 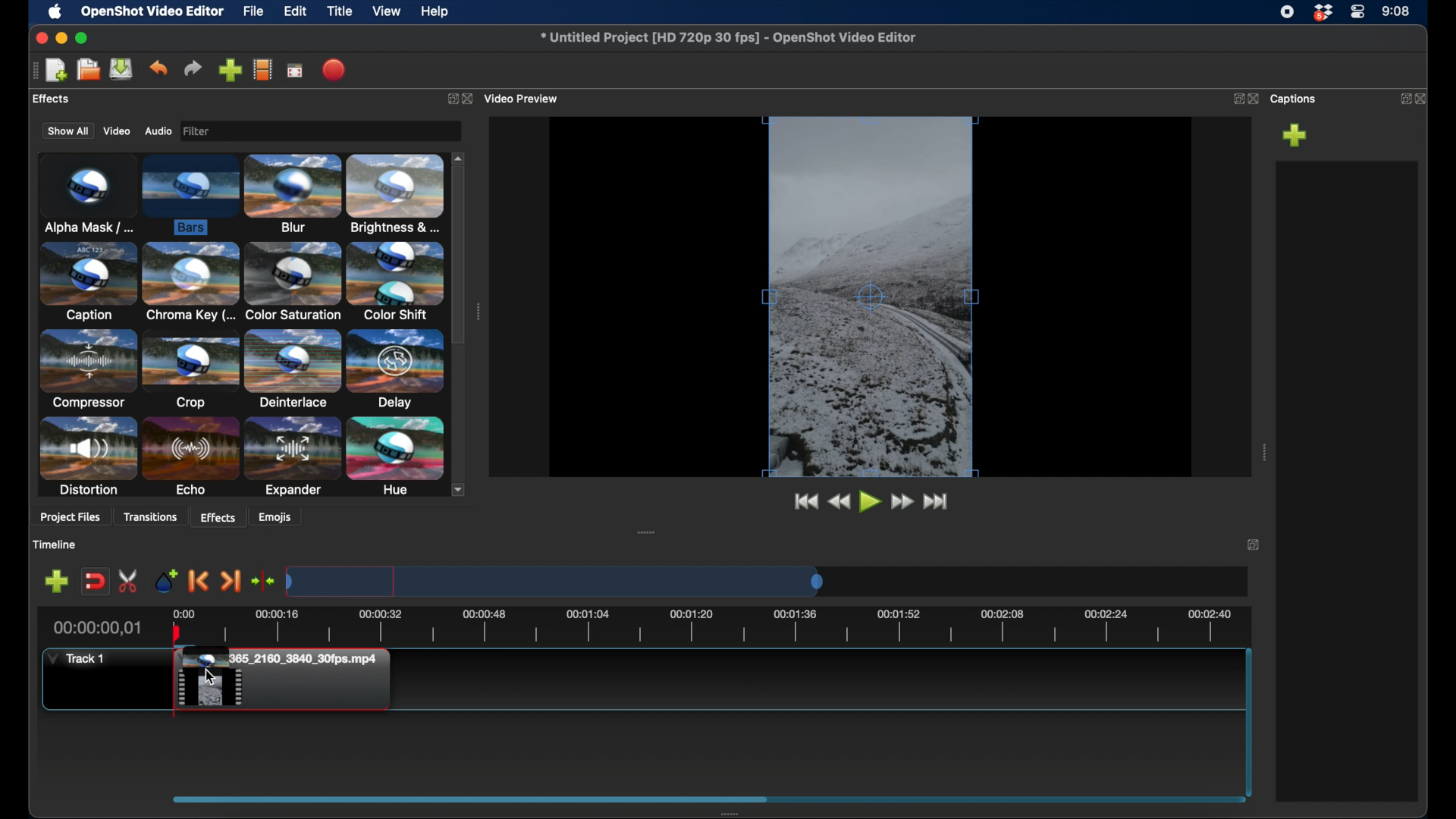 What do you see at coordinates (96, 629) in the screenshot?
I see `current time indicator` at bounding box center [96, 629].